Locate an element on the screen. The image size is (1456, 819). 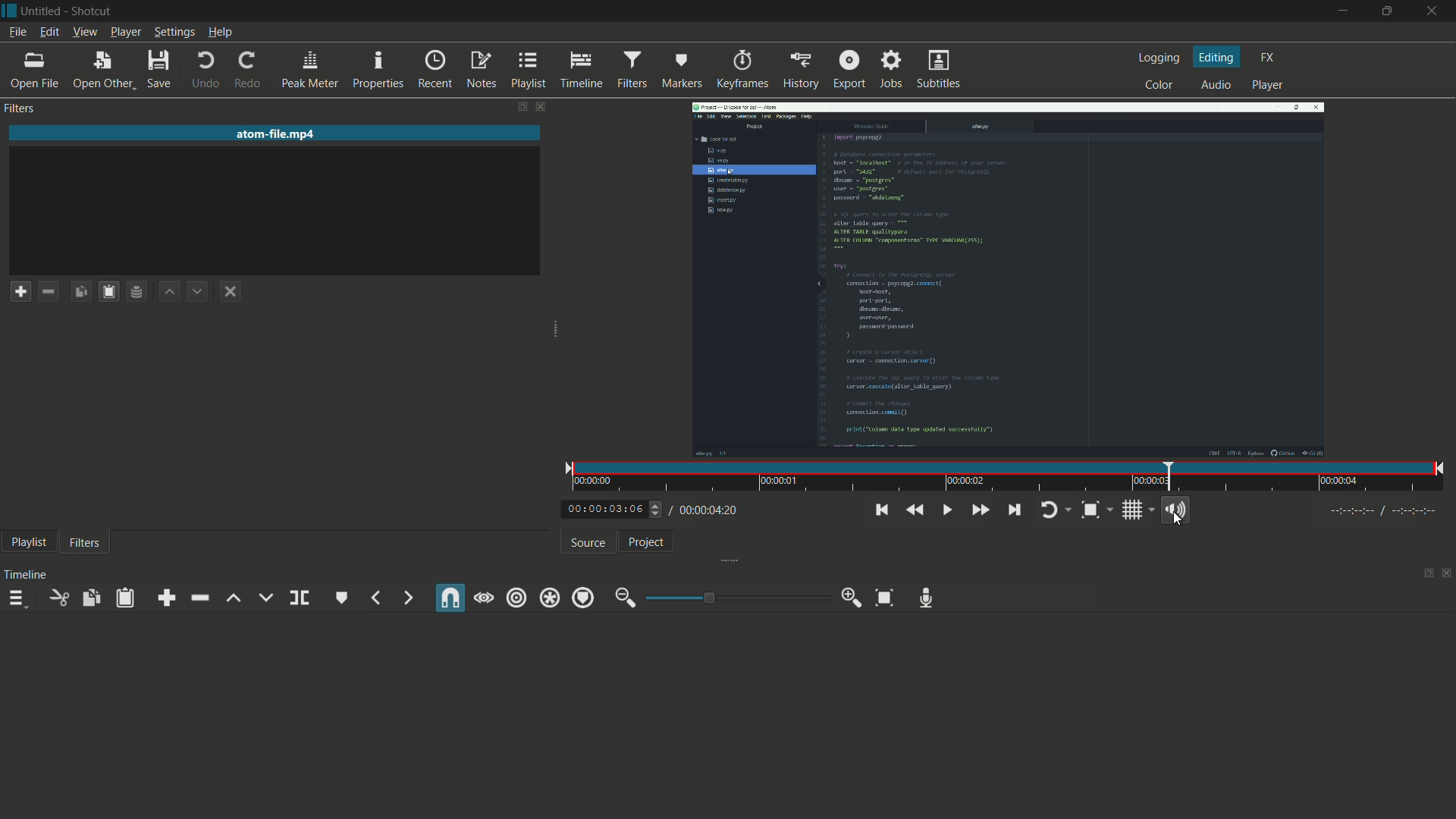
forward is located at coordinates (404, 598).